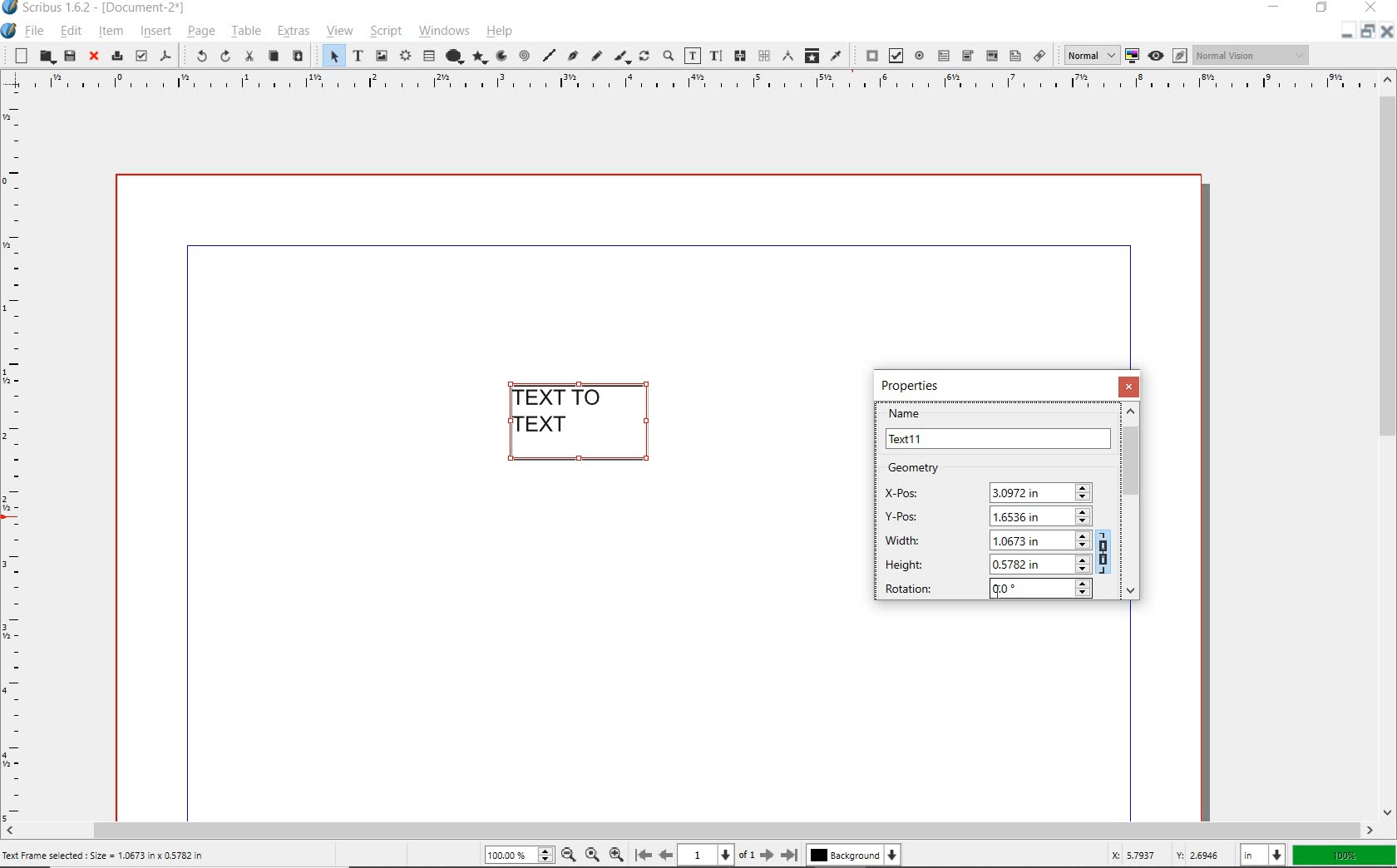  Describe the element at coordinates (480, 58) in the screenshot. I see `polygon` at that location.